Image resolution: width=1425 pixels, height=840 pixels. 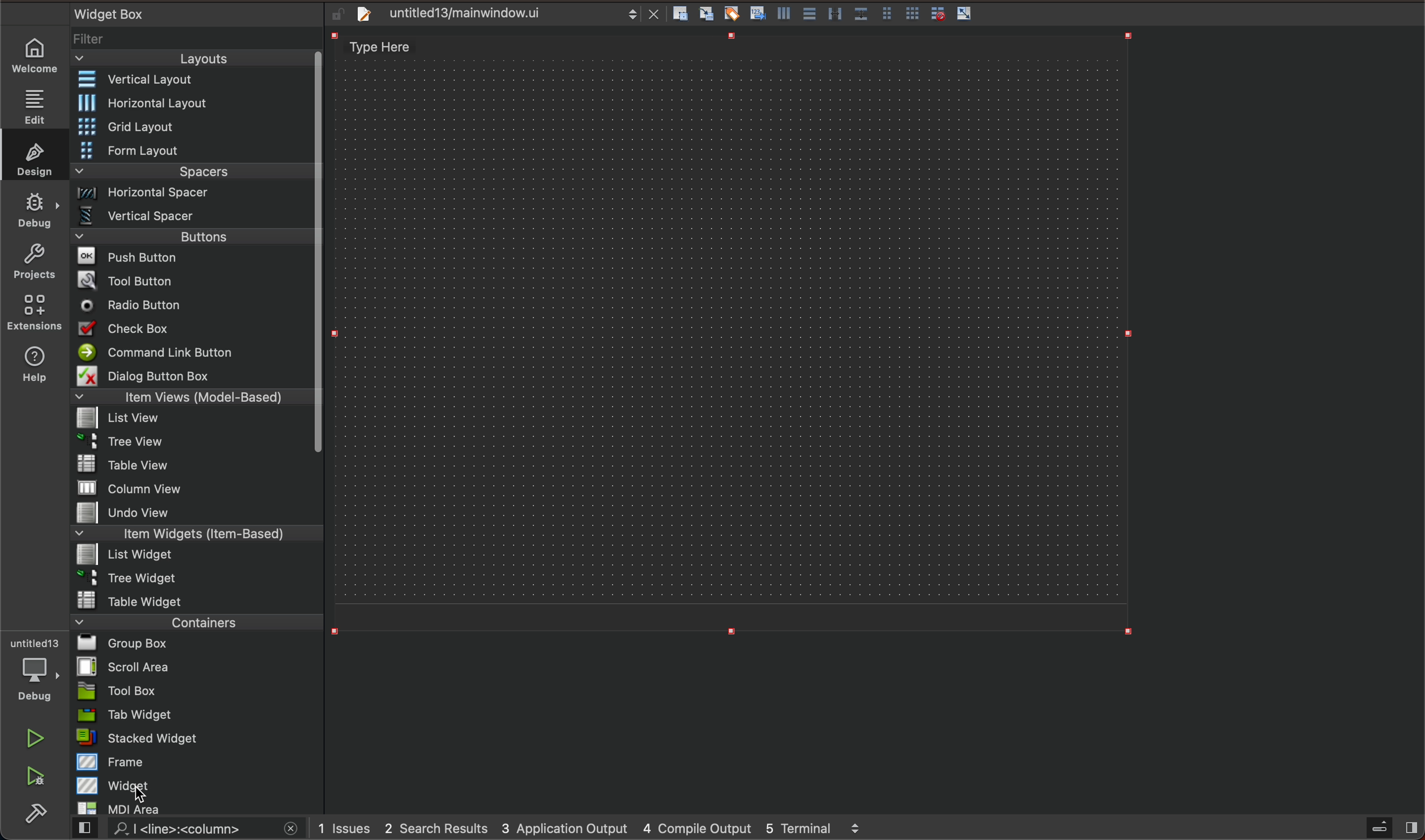 What do you see at coordinates (197, 58) in the screenshot?
I see `layouts` at bounding box center [197, 58].